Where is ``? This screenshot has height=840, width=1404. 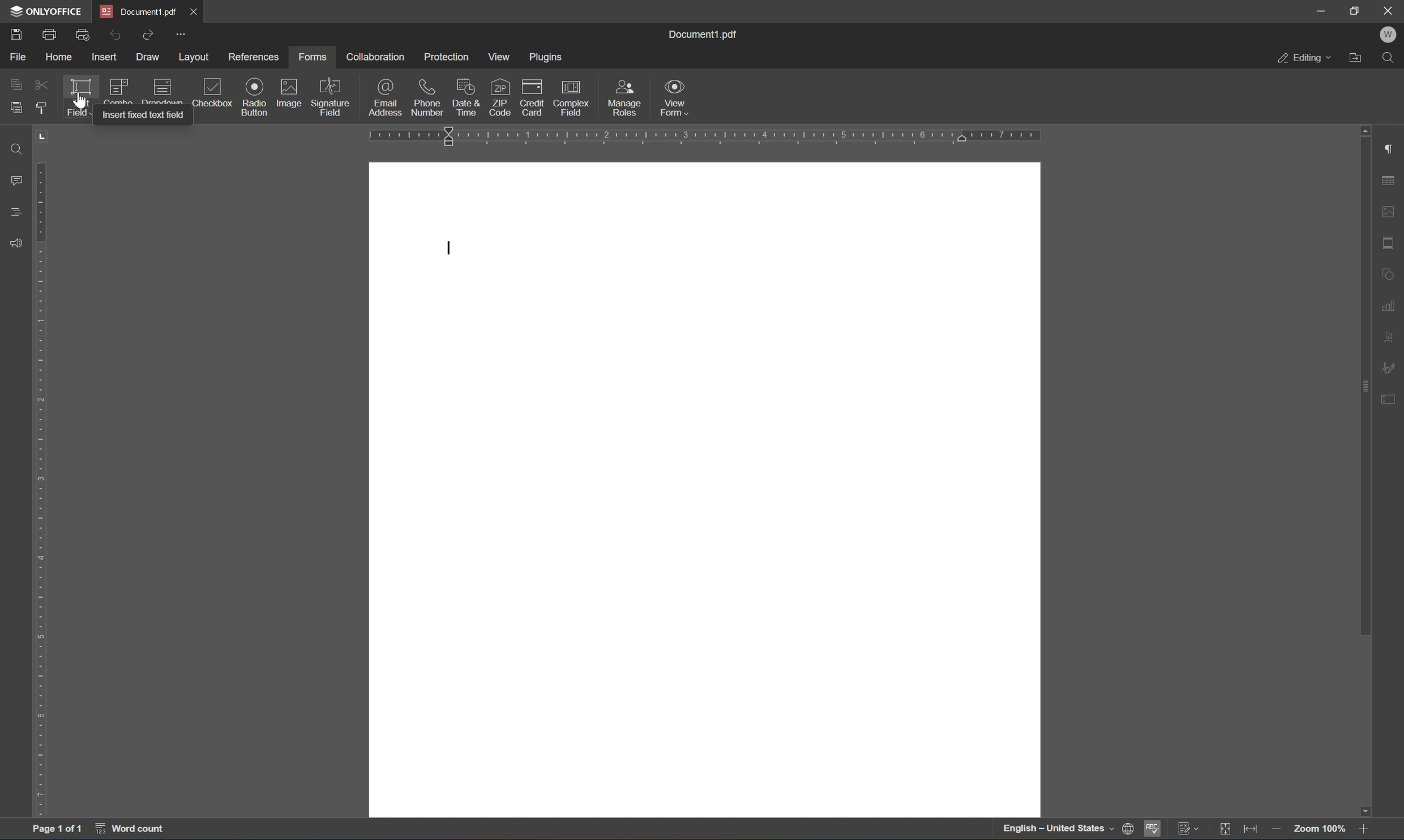  is located at coordinates (254, 97).